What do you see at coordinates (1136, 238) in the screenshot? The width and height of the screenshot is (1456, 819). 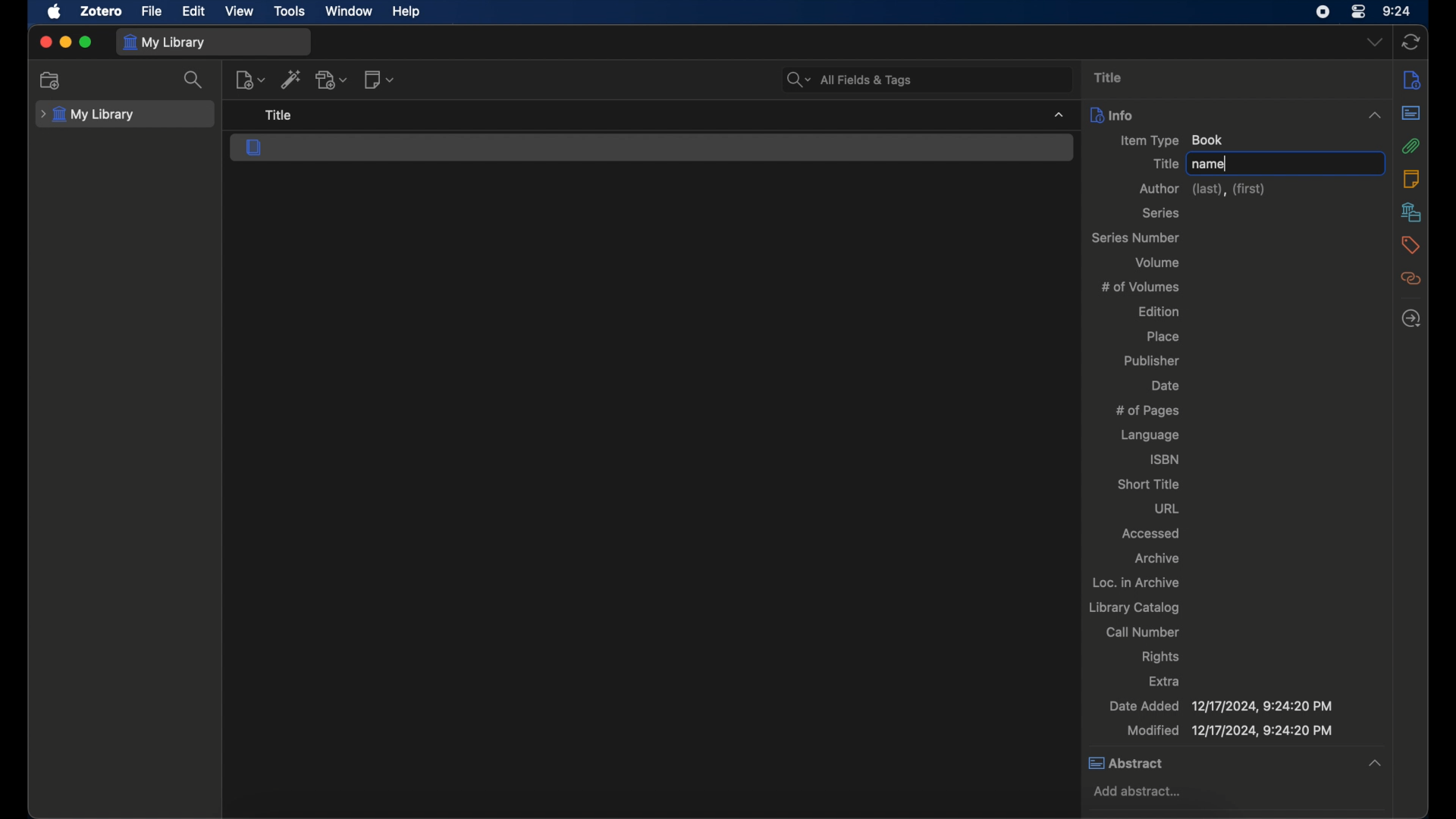 I see `series number` at bounding box center [1136, 238].